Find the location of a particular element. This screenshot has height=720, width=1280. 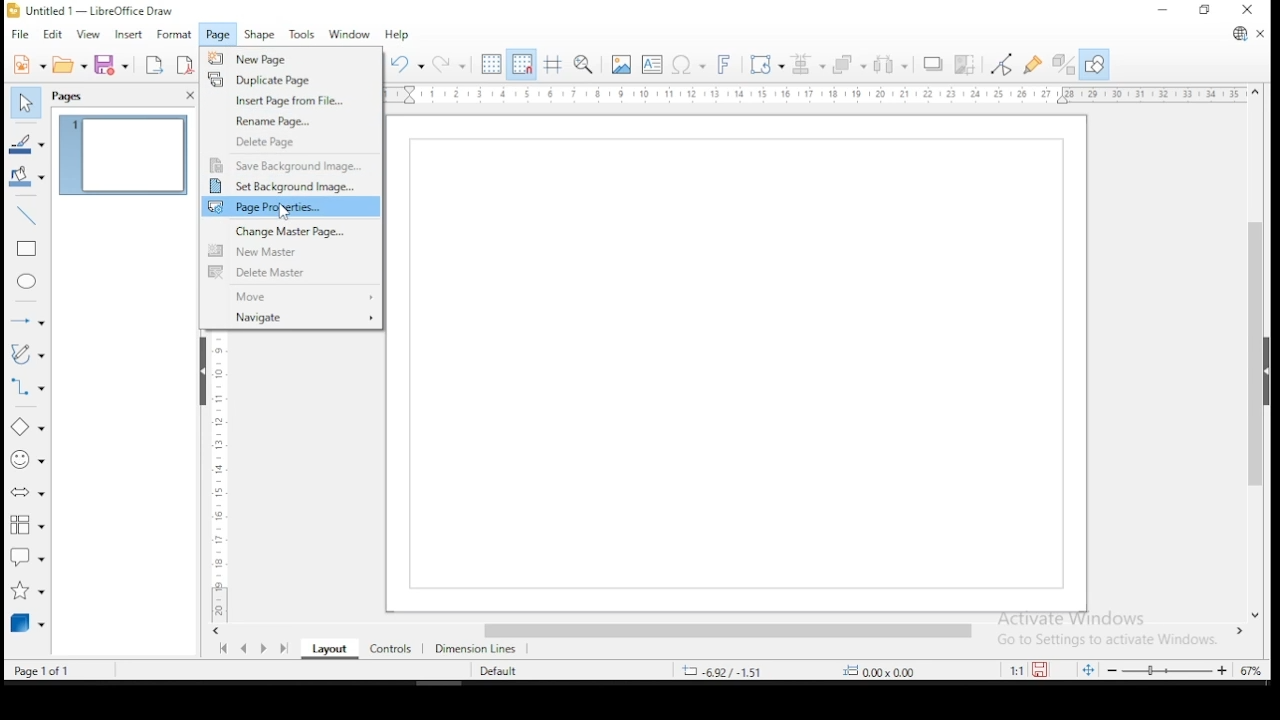

new is located at coordinates (25, 63).